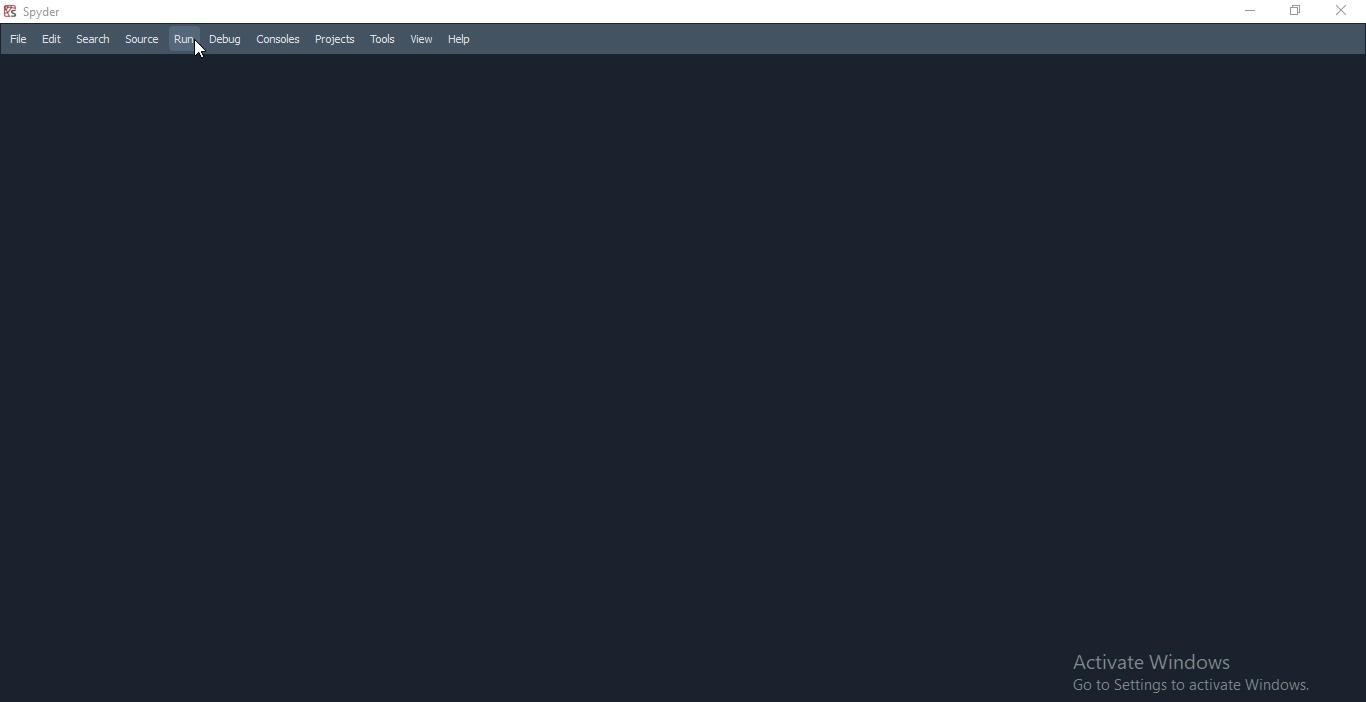  Describe the element at coordinates (1343, 10) in the screenshot. I see `Close` at that location.